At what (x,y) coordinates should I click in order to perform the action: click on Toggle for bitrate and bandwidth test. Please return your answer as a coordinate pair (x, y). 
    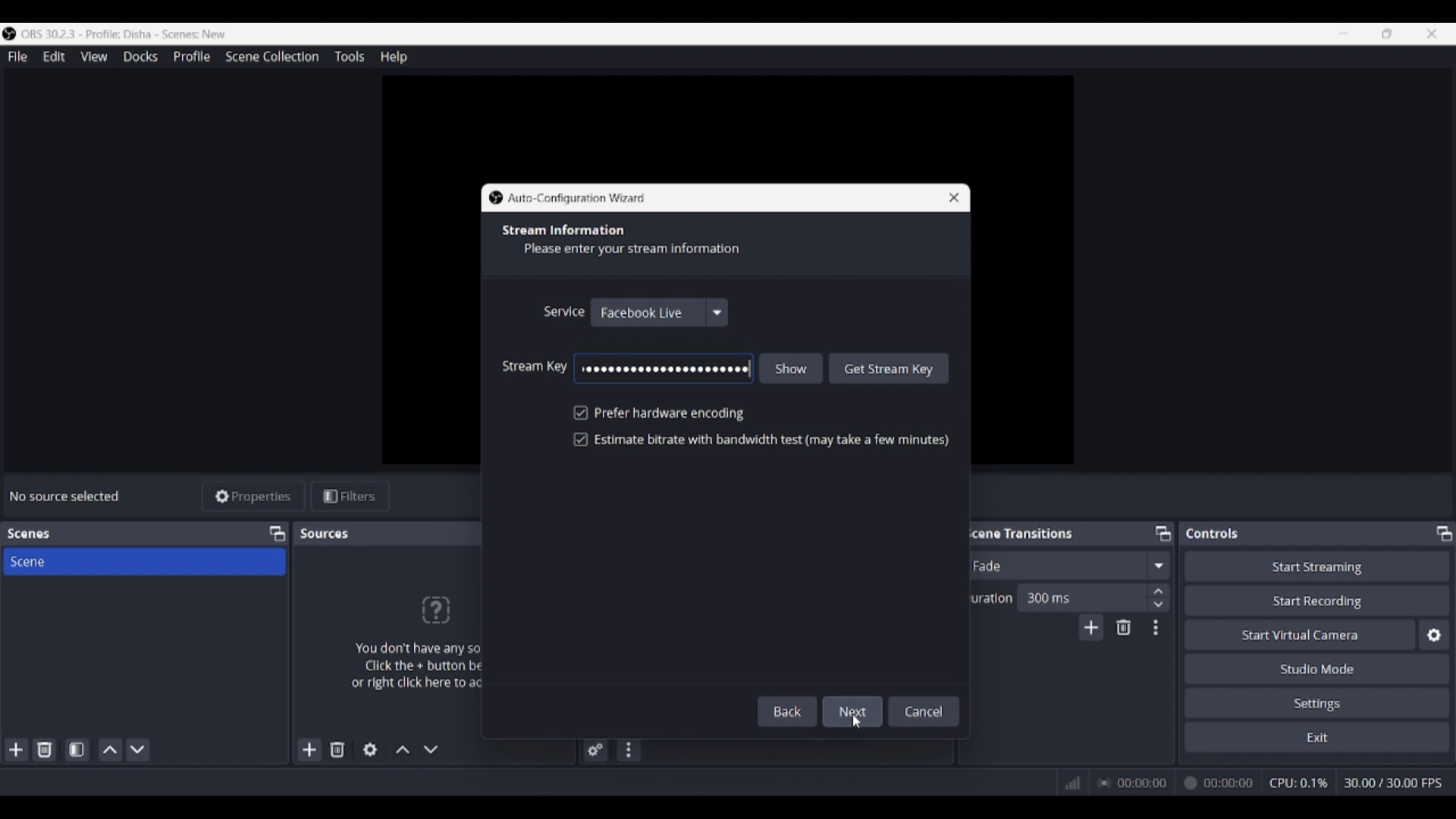
    Looking at the image, I should click on (761, 439).